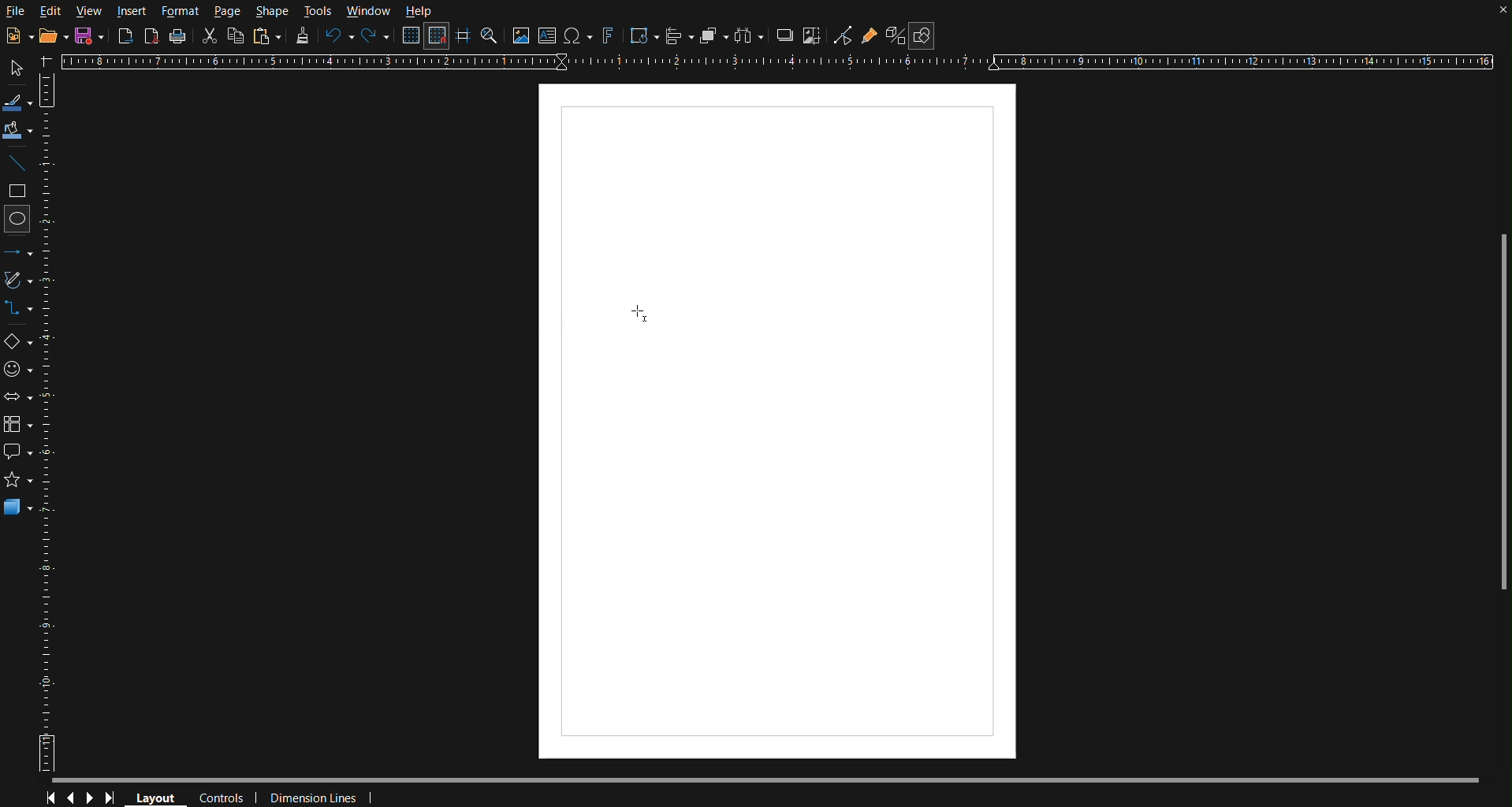  What do you see at coordinates (1497, 407) in the screenshot?
I see `Scrollbar` at bounding box center [1497, 407].